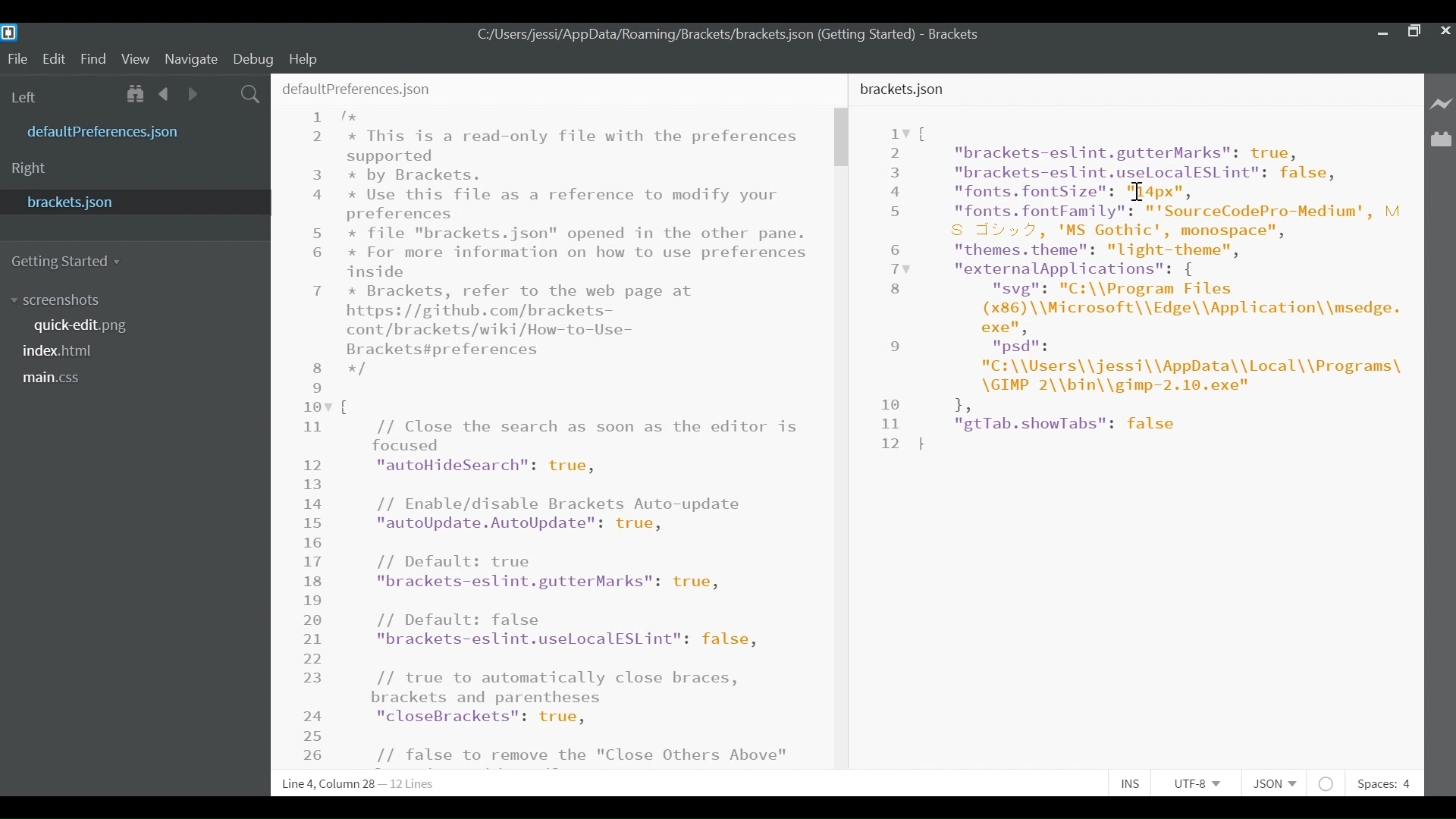 This screenshot has width=1456, height=819. I want to click on quick-edit.png File, so click(83, 326).